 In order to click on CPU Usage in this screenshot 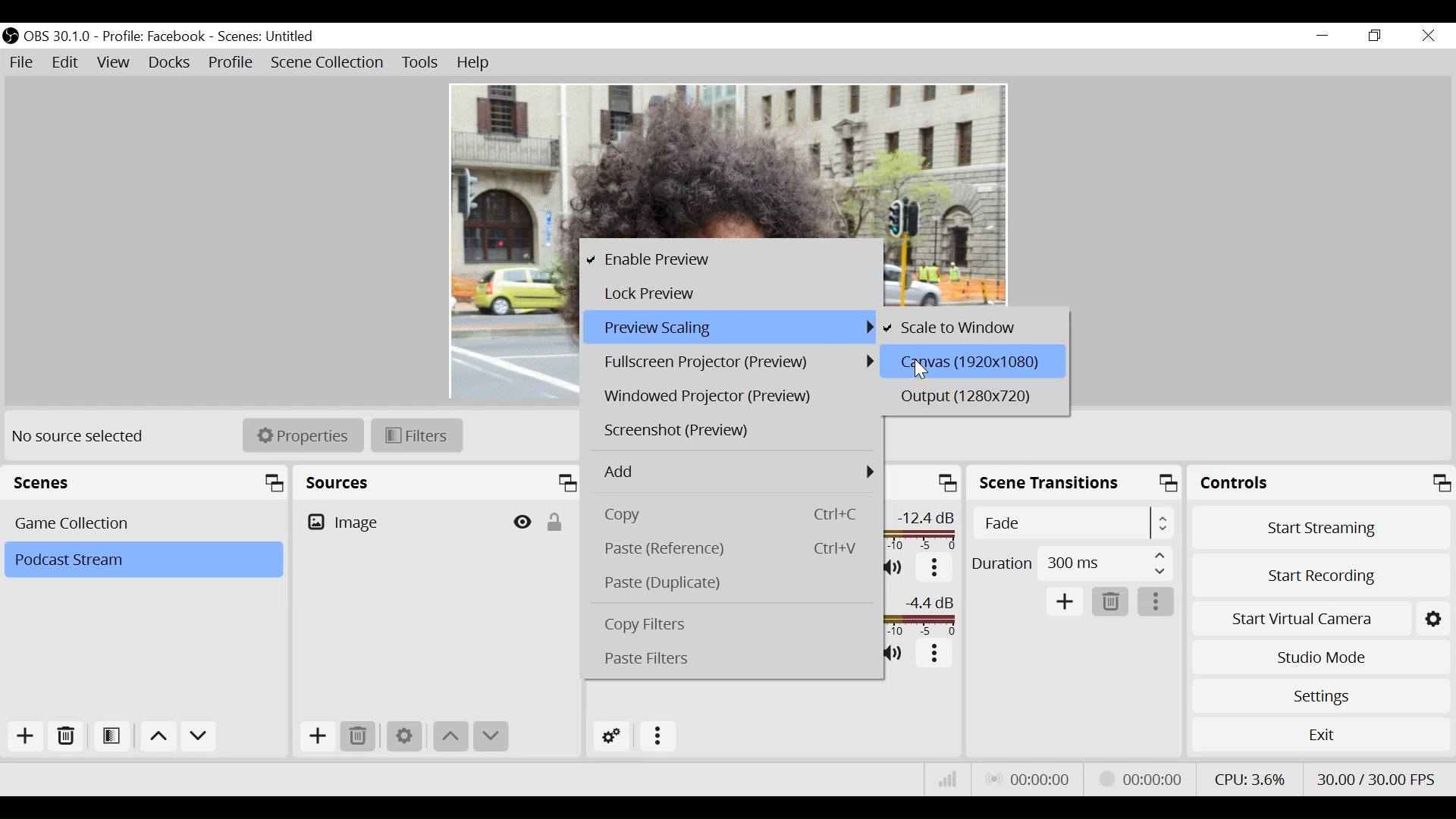, I will do `click(1250, 778)`.